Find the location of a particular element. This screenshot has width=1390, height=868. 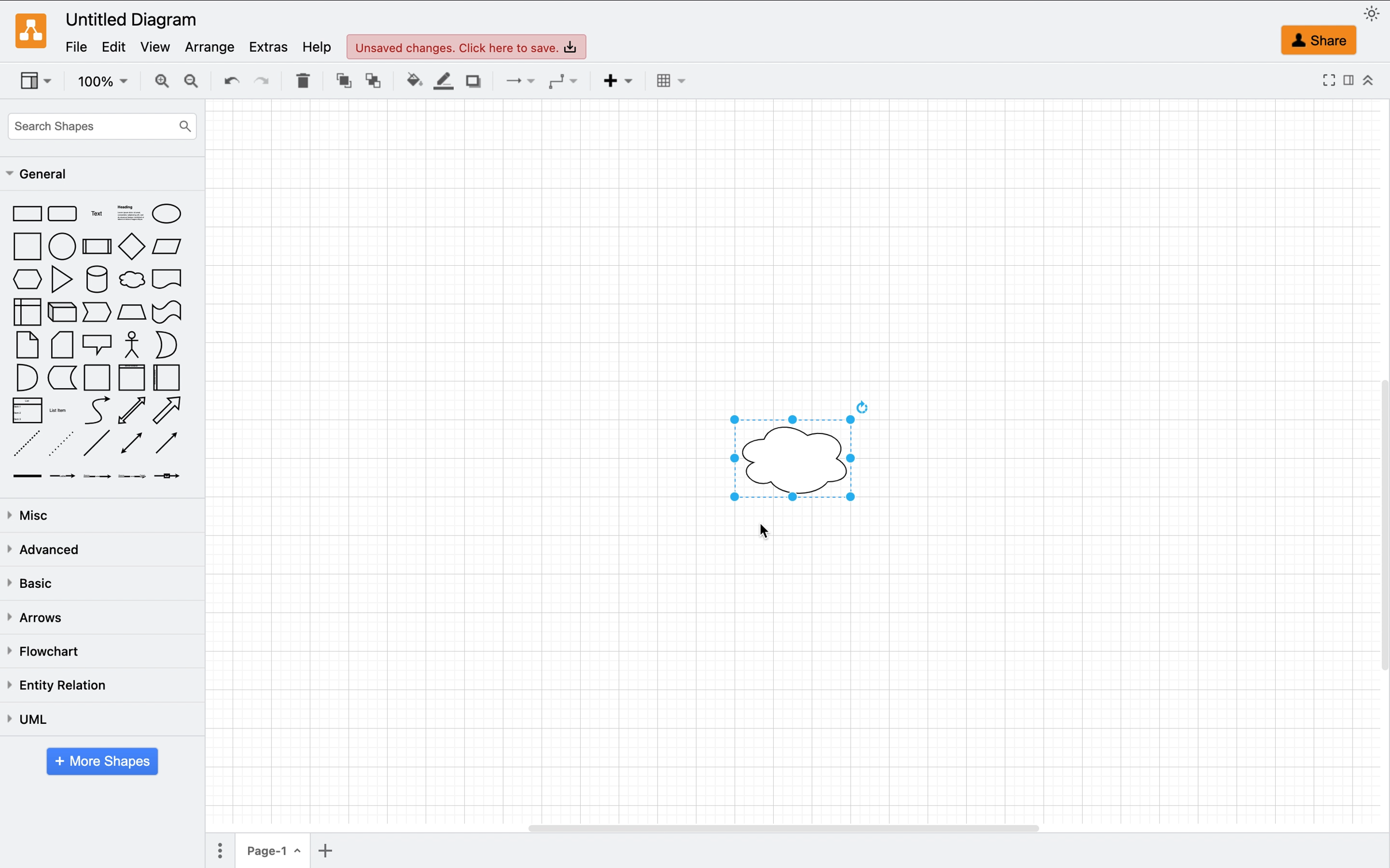

cylinder is located at coordinates (94, 280).